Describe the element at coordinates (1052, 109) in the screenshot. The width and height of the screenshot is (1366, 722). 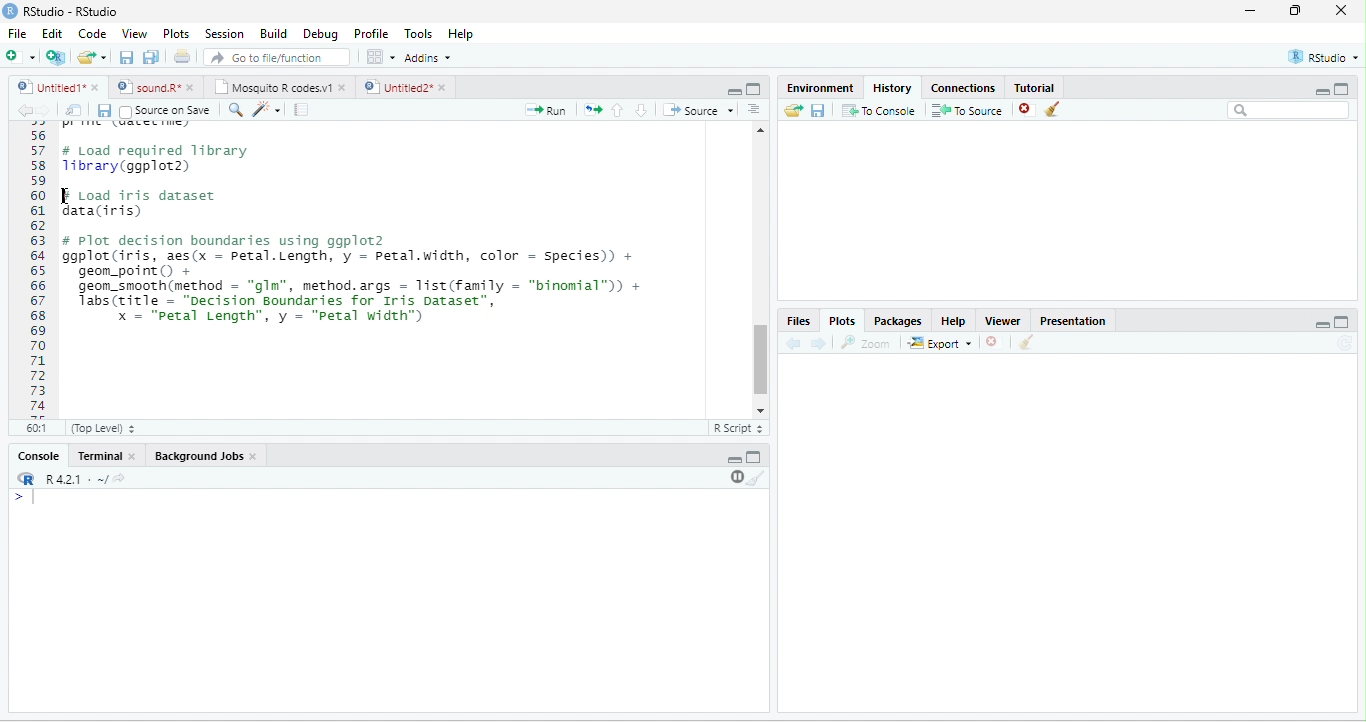
I see `clear` at that location.